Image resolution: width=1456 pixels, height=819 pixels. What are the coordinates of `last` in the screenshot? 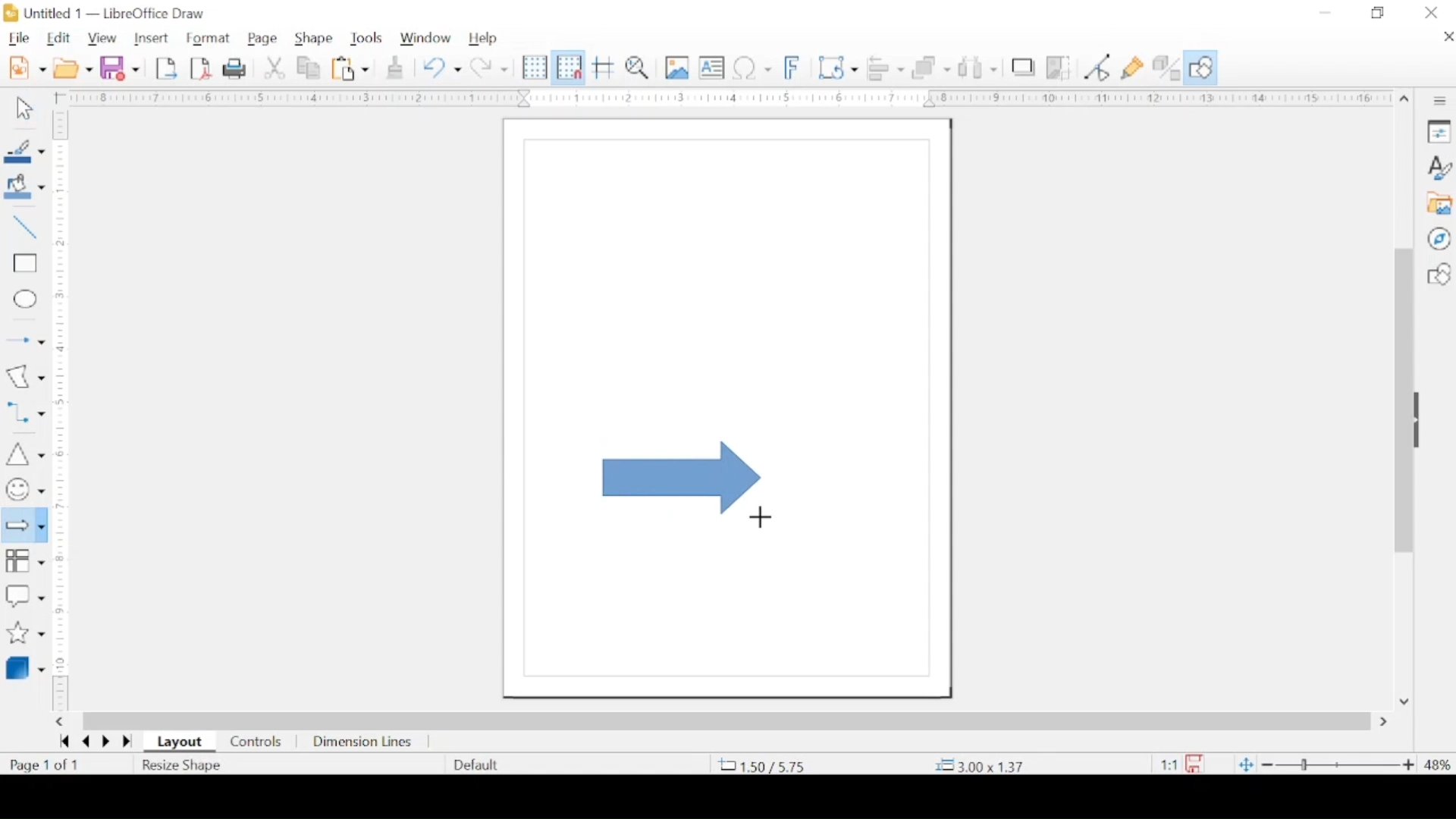 It's located at (127, 742).